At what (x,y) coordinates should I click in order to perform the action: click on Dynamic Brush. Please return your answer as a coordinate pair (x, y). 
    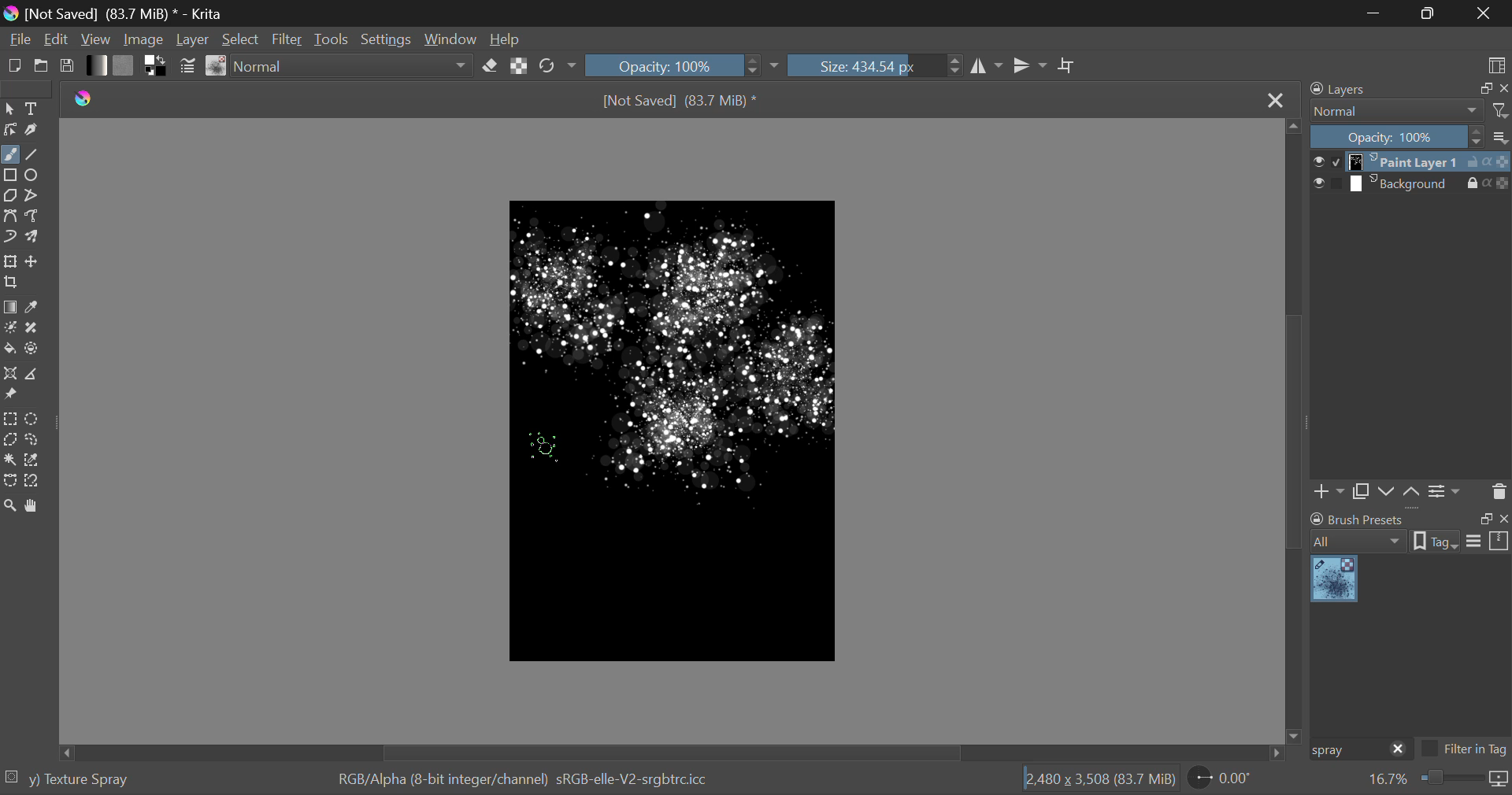
    Looking at the image, I should click on (9, 235).